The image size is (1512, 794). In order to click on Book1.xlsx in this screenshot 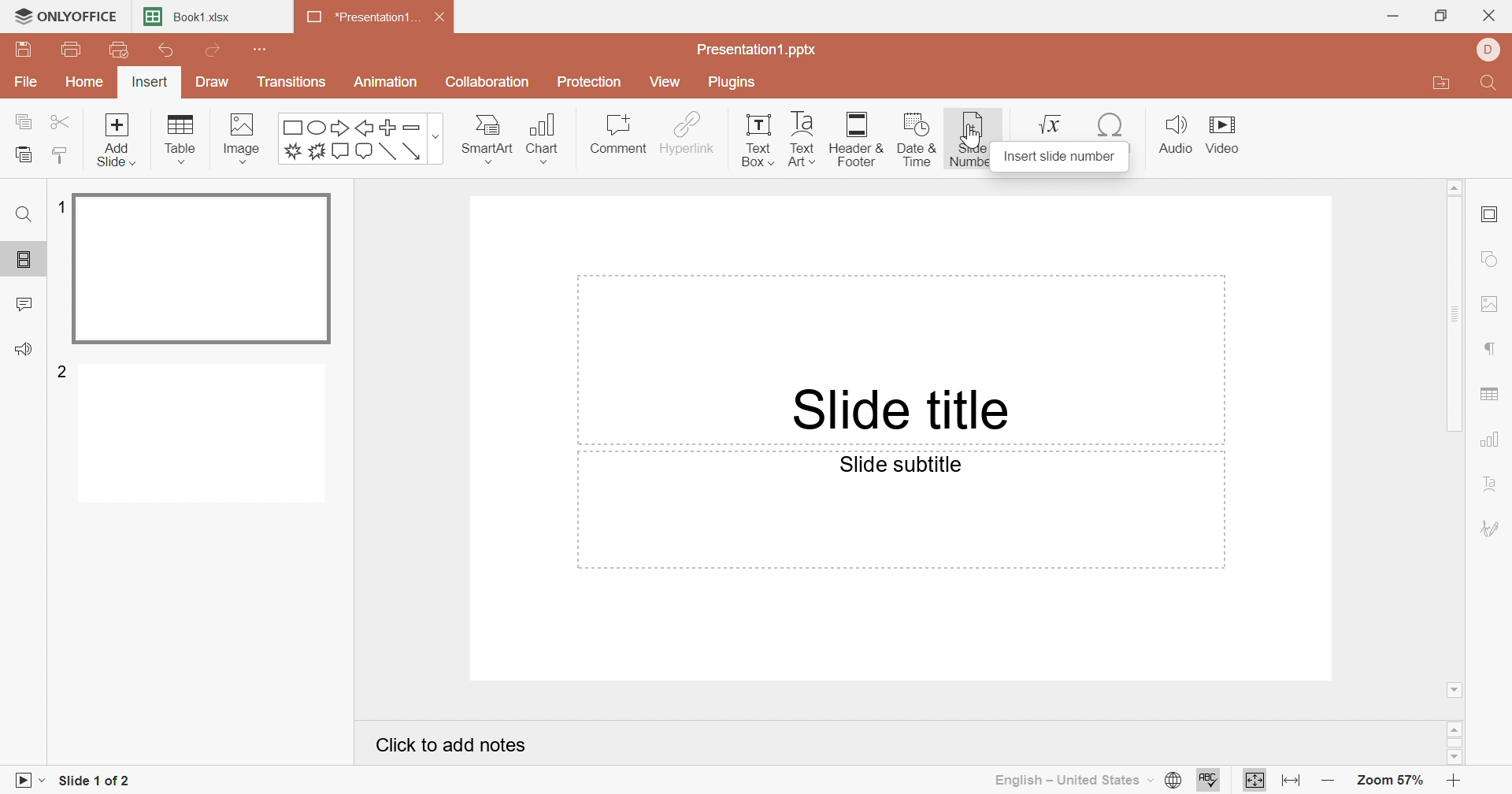, I will do `click(190, 18)`.